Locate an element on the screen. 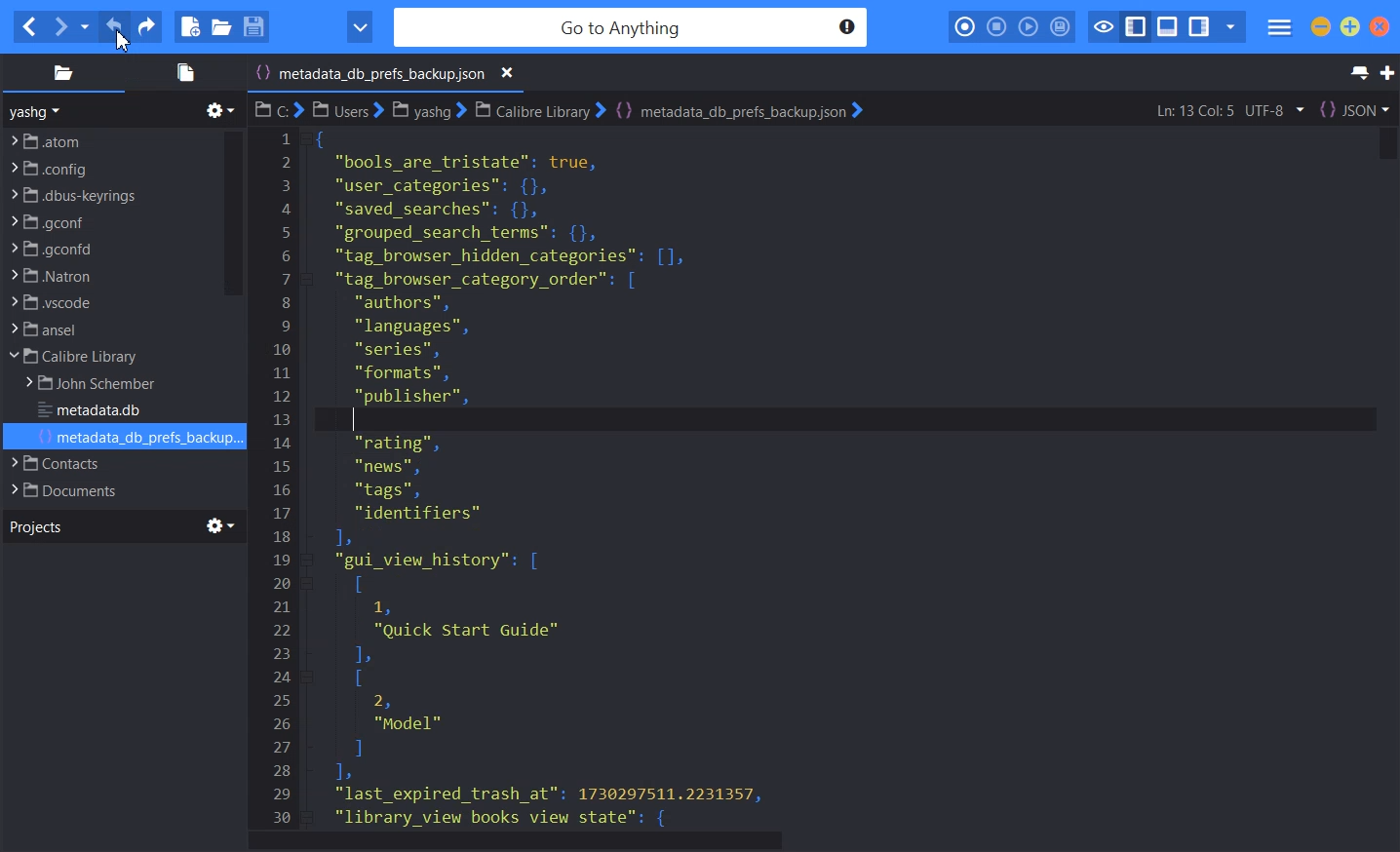 The width and height of the screenshot is (1400, 852). File is located at coordinates (108, 302).